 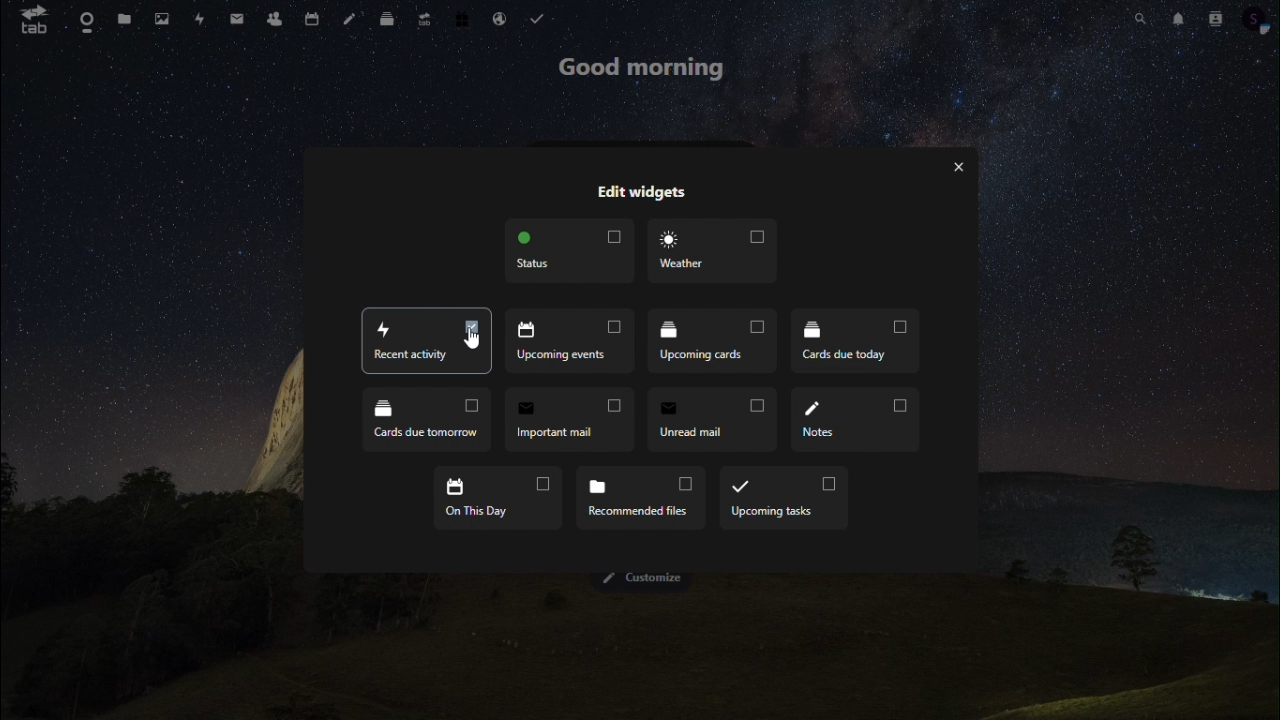 I want to click on tab, so click(x=28, y=22).